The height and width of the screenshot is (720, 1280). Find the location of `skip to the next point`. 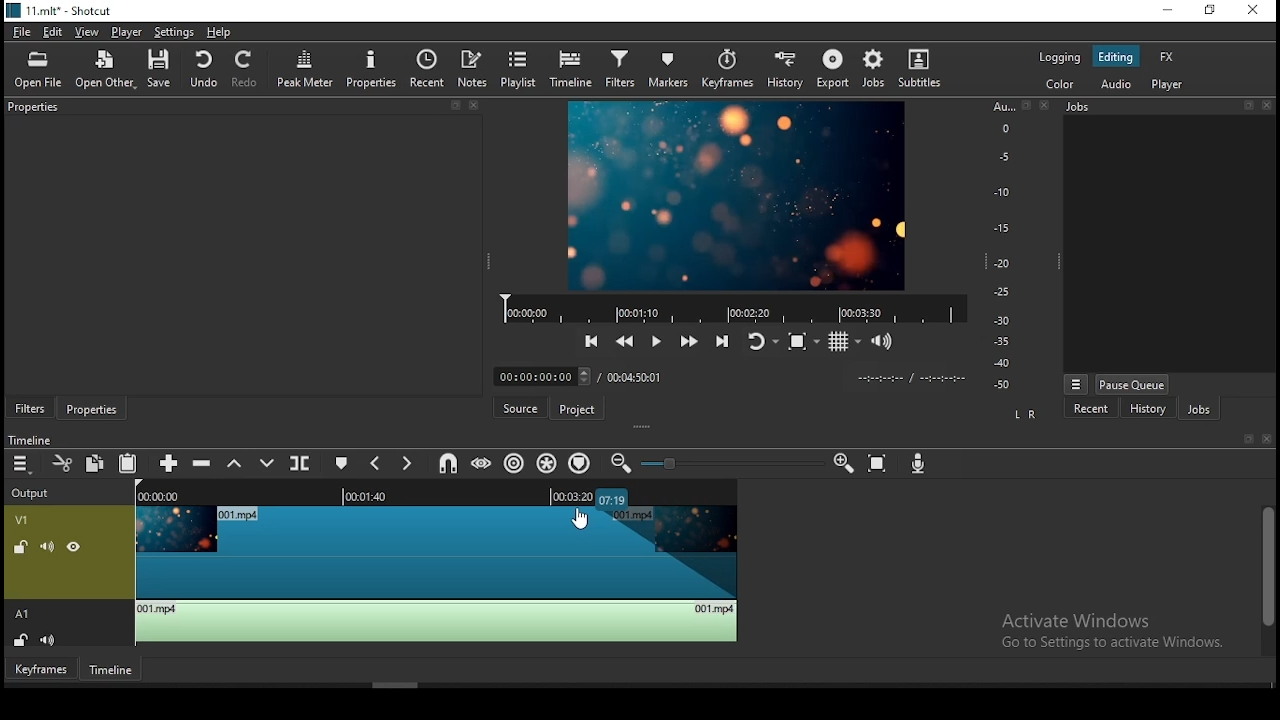

skip to the next point is located at coordinates (723, 340).